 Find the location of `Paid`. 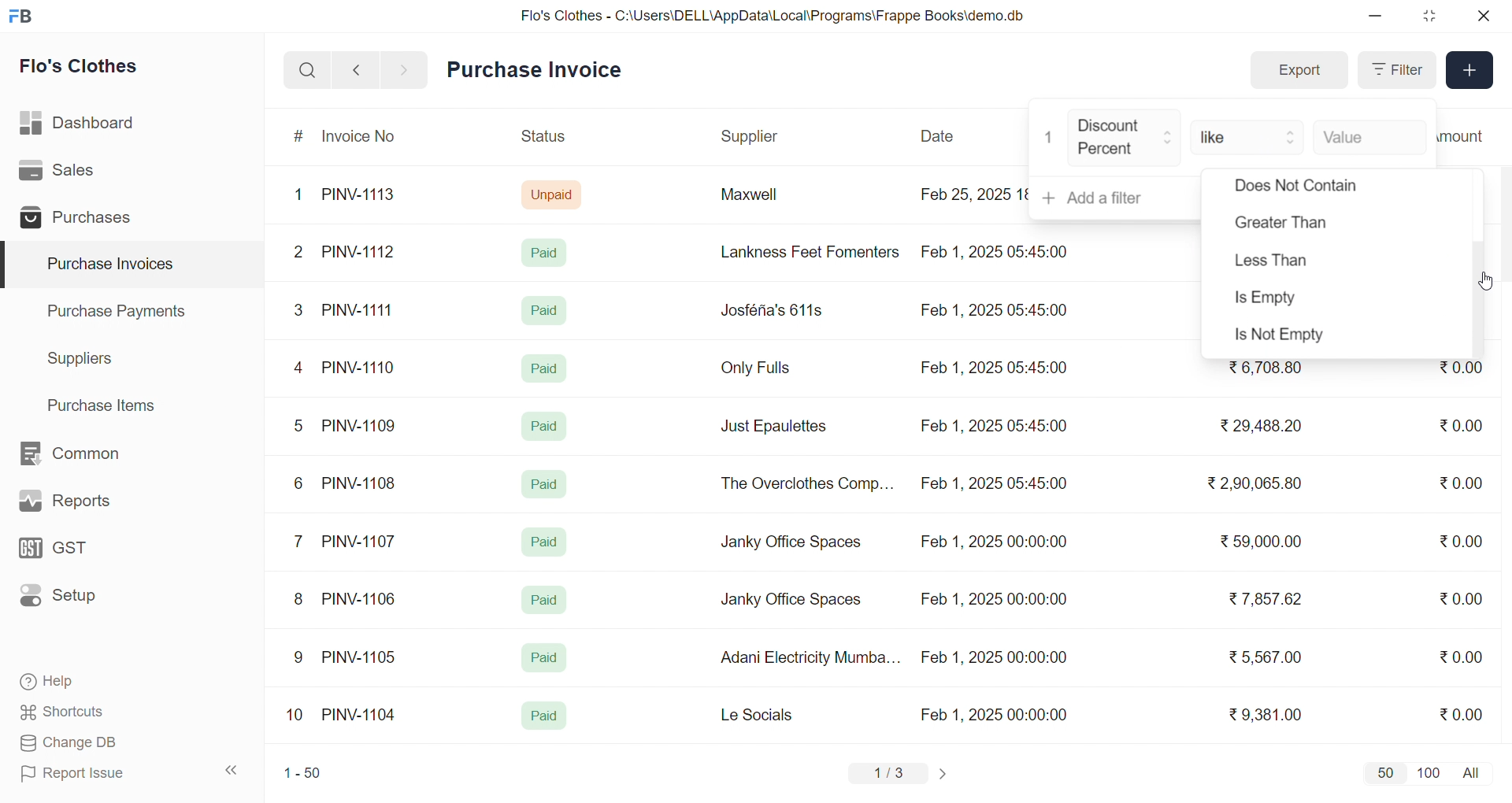

Paid is located at coordinates (545, 310).